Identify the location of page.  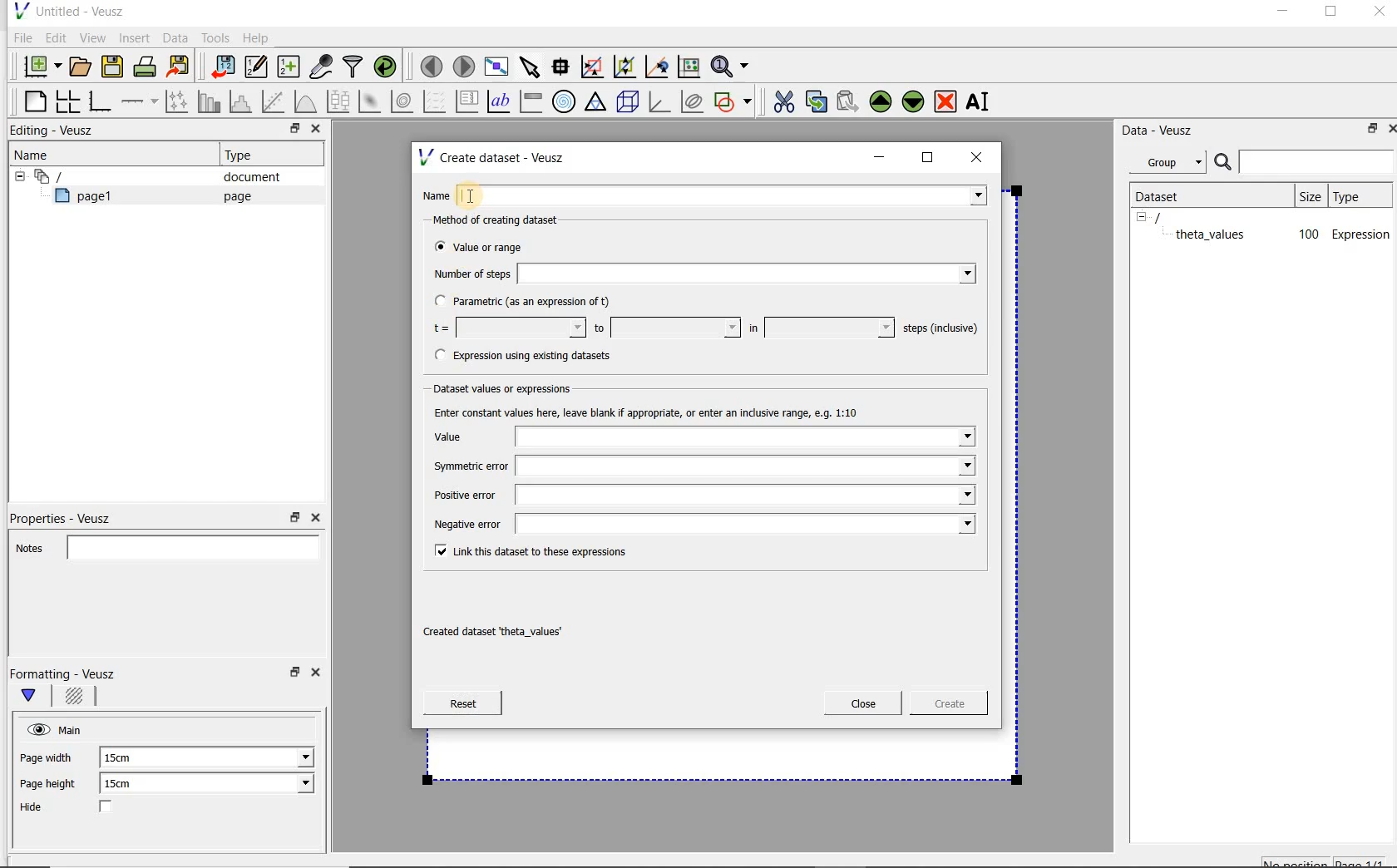
(234, 196).